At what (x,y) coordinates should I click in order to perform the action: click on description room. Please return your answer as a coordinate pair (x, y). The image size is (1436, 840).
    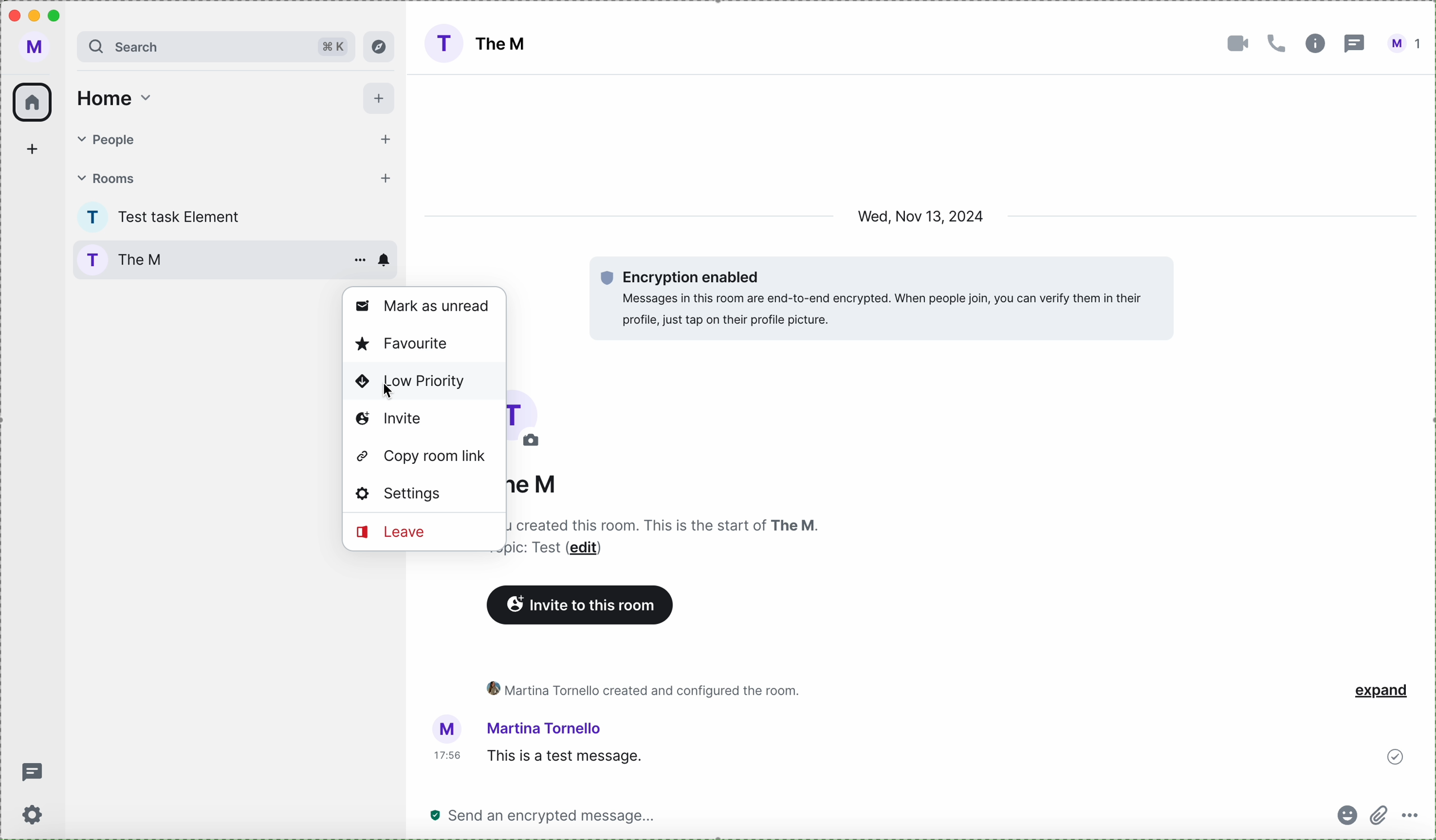
    Looking at the image, I should click on (664, 523).